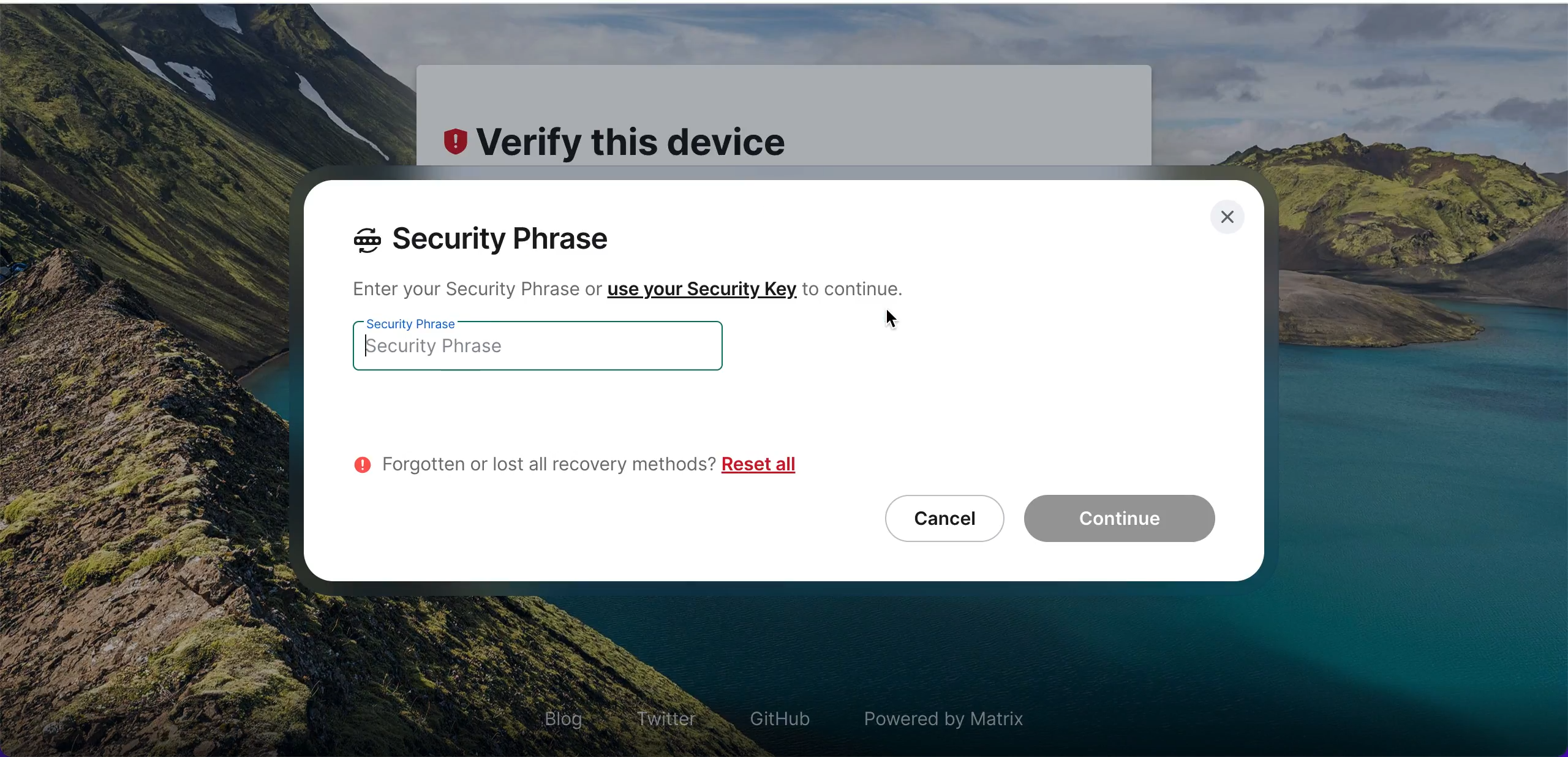 This screenshot has width=1568, height=757. I want to click on verify this device, so click(627, 141).